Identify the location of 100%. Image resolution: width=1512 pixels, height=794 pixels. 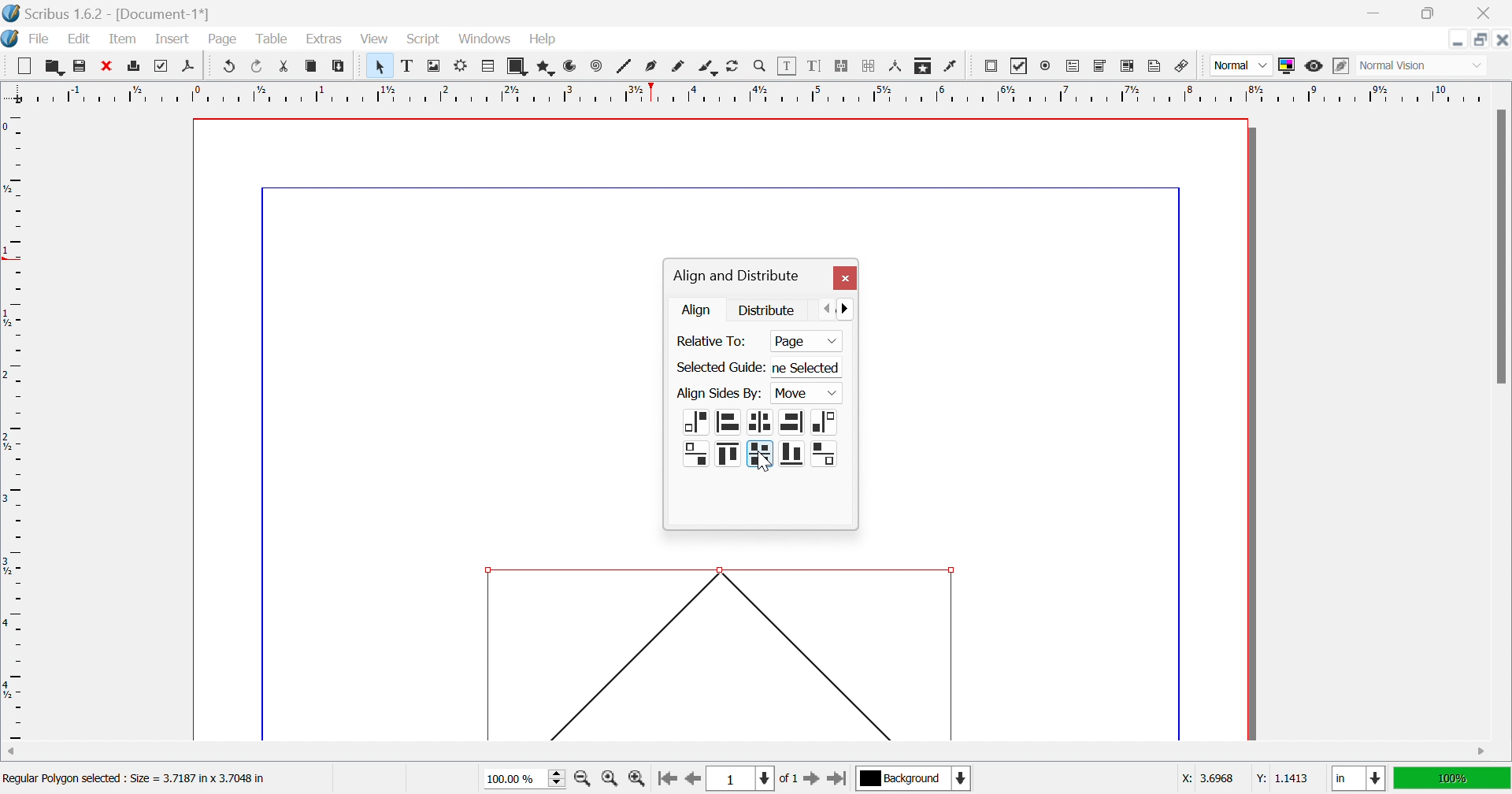
(1450, 777).